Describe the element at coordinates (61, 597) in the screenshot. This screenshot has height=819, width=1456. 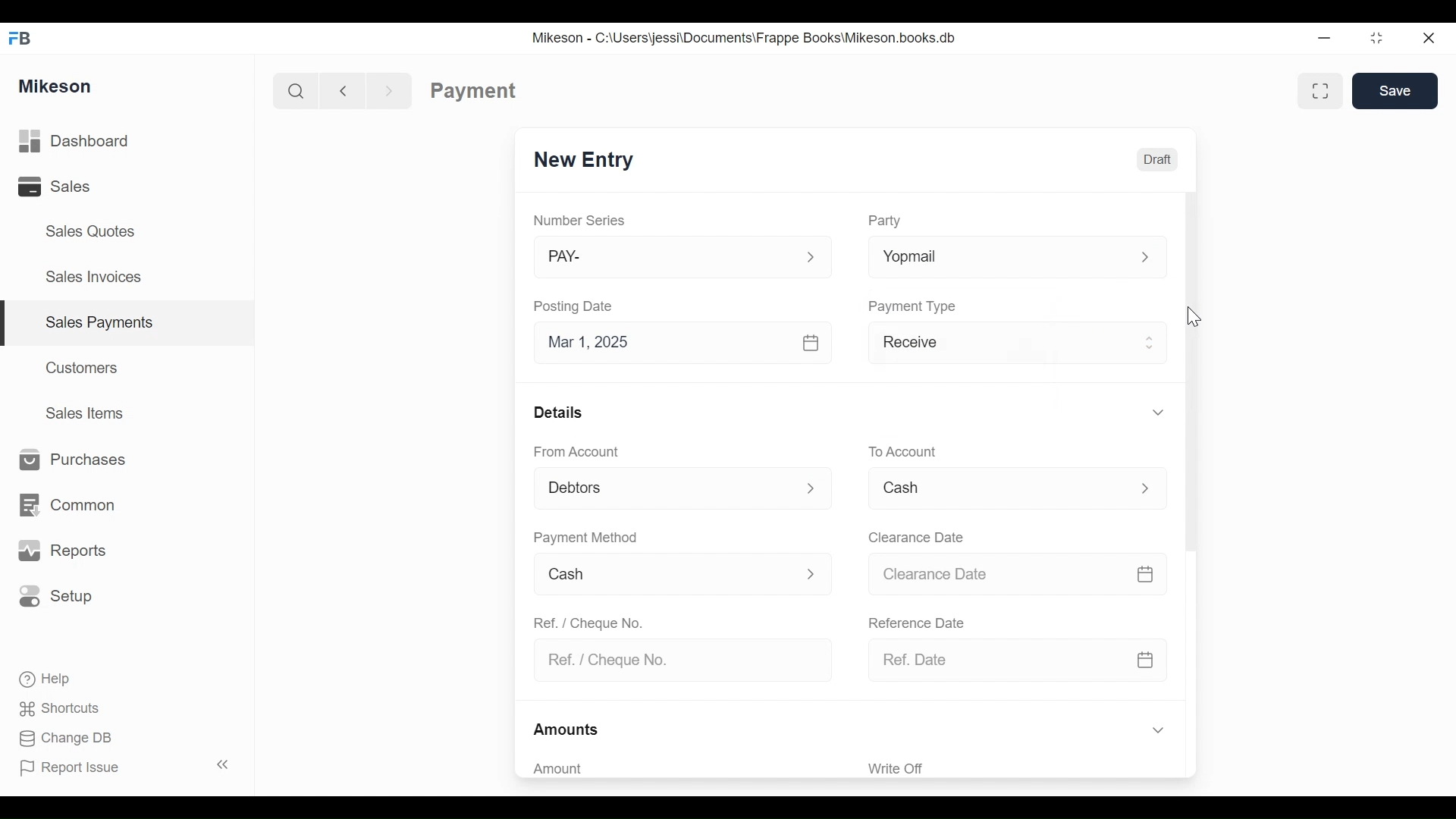
I see `Setup` at that location.